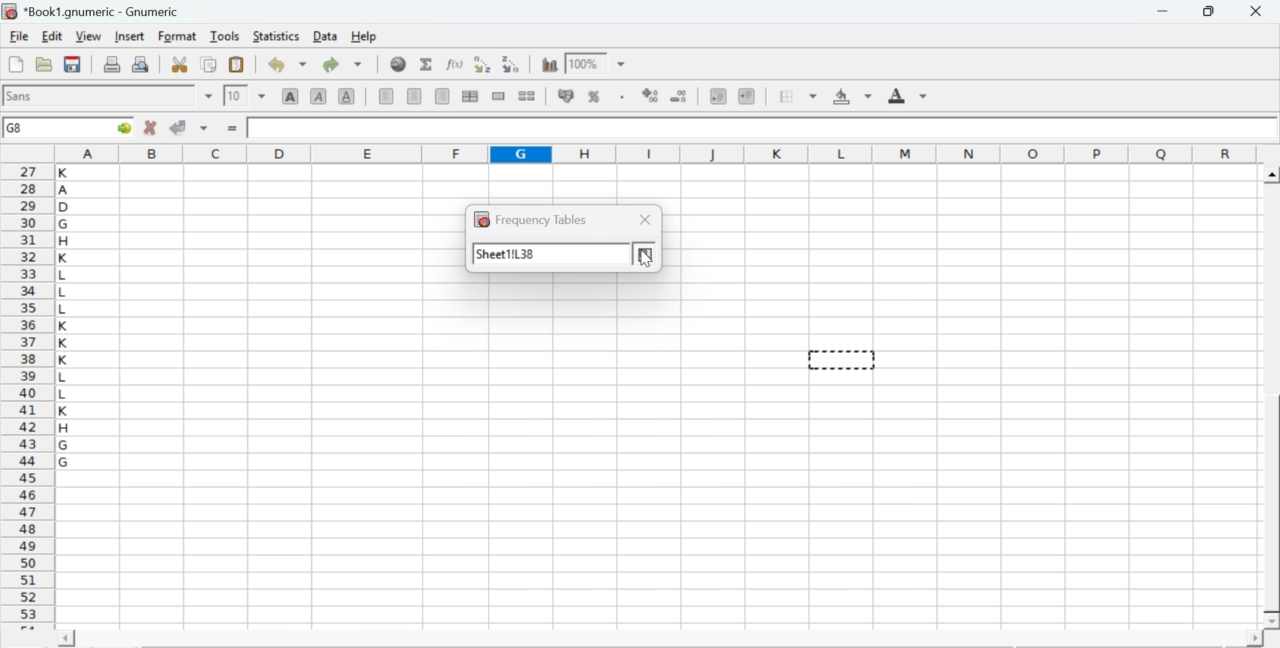  What do you see at coordinates (678, 97) in the screenshot?
I see `decrease number of decimals displayed` at bounding box center [678, 97].